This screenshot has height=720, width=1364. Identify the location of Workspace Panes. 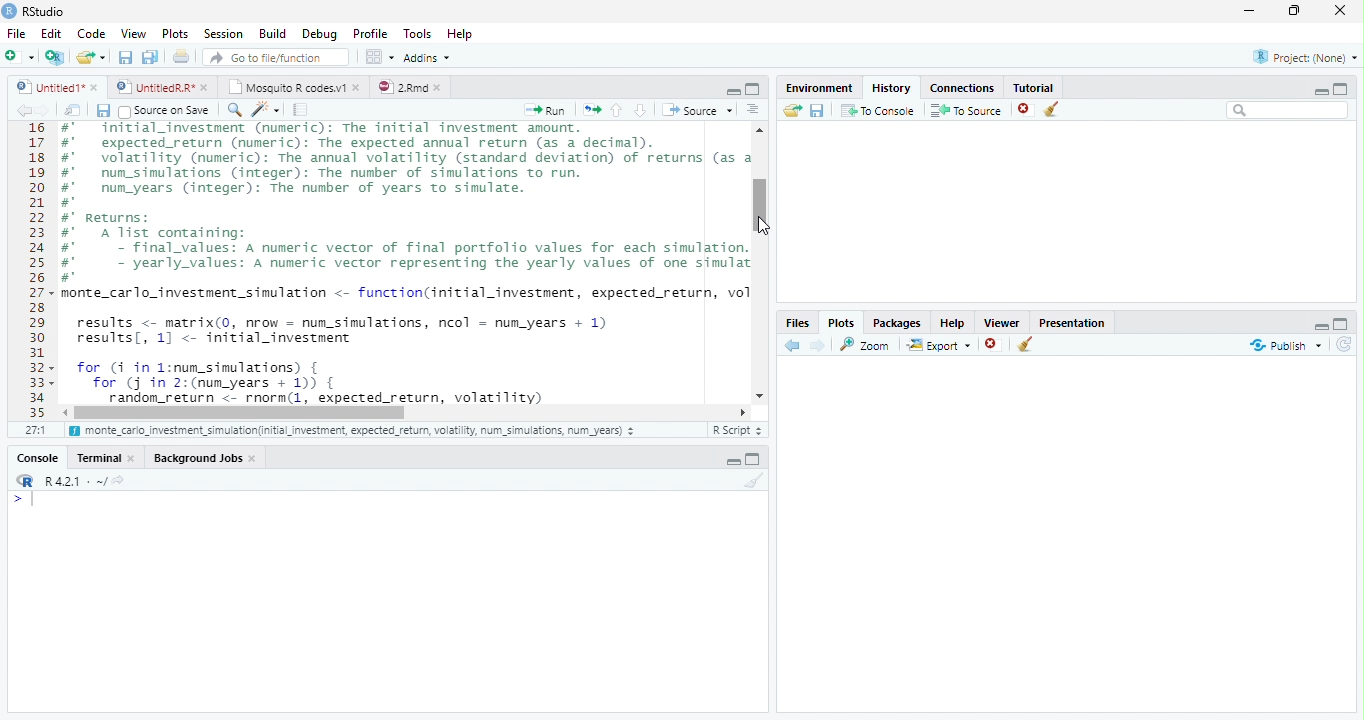
(379, 57).